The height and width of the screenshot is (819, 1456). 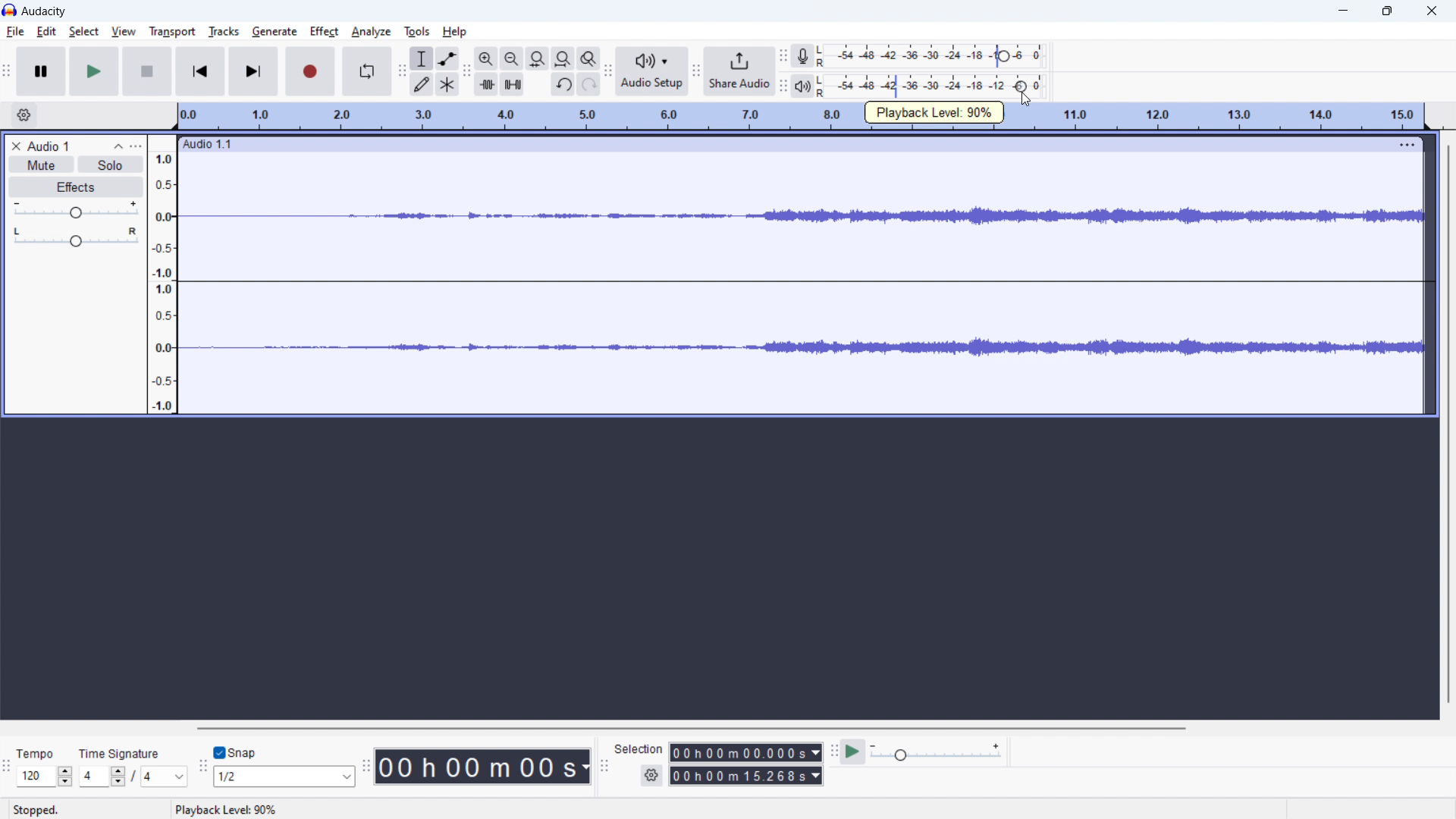 I want to click on play at speed, so click(x=853, y=752).